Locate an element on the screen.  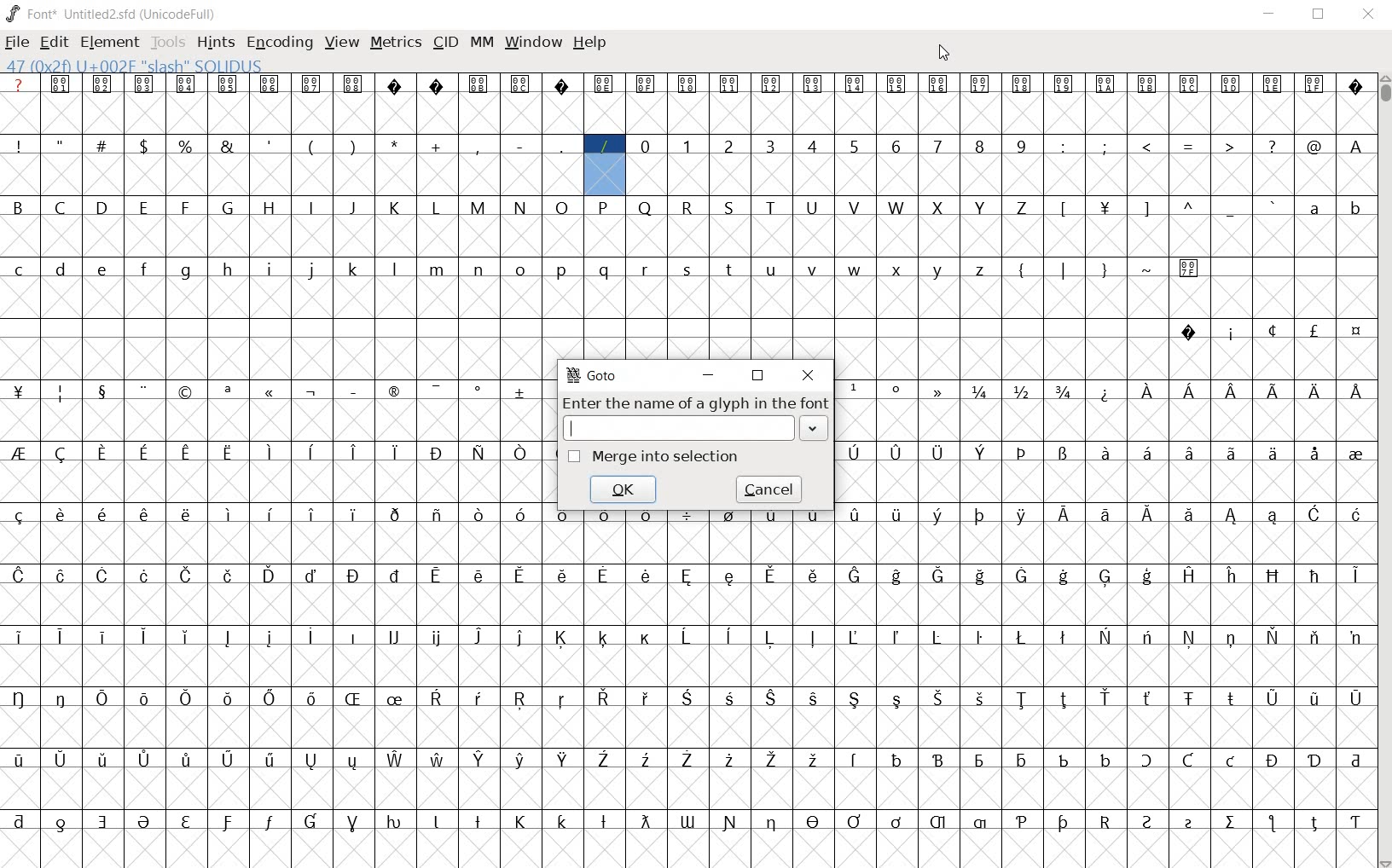
glyph is located at coordinates (645, 821).